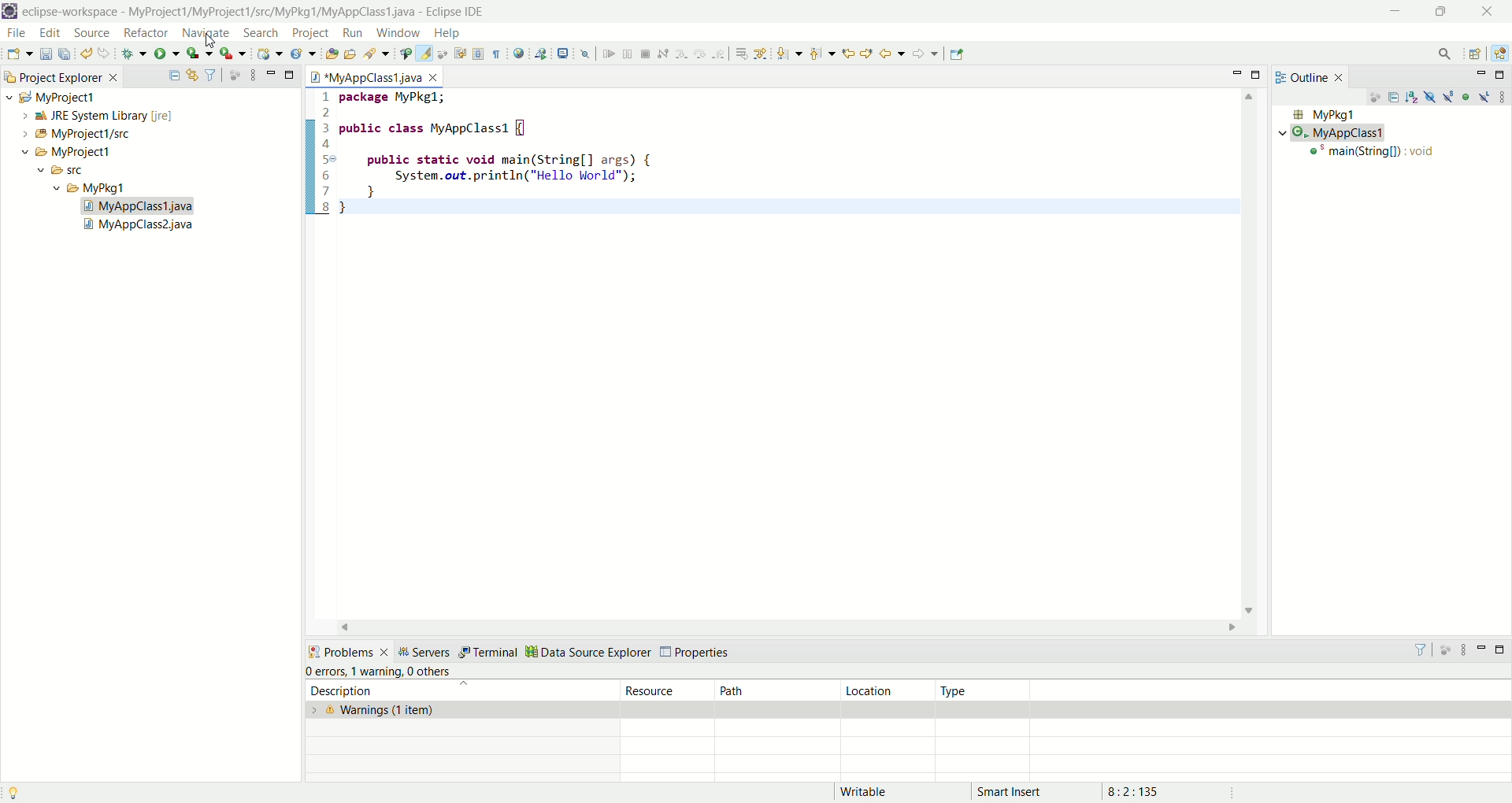 The height and width of the screenshot is (803, 1512). Describe the element at coordinates (607, 55) in the screenshot. I see `resume` at that location.